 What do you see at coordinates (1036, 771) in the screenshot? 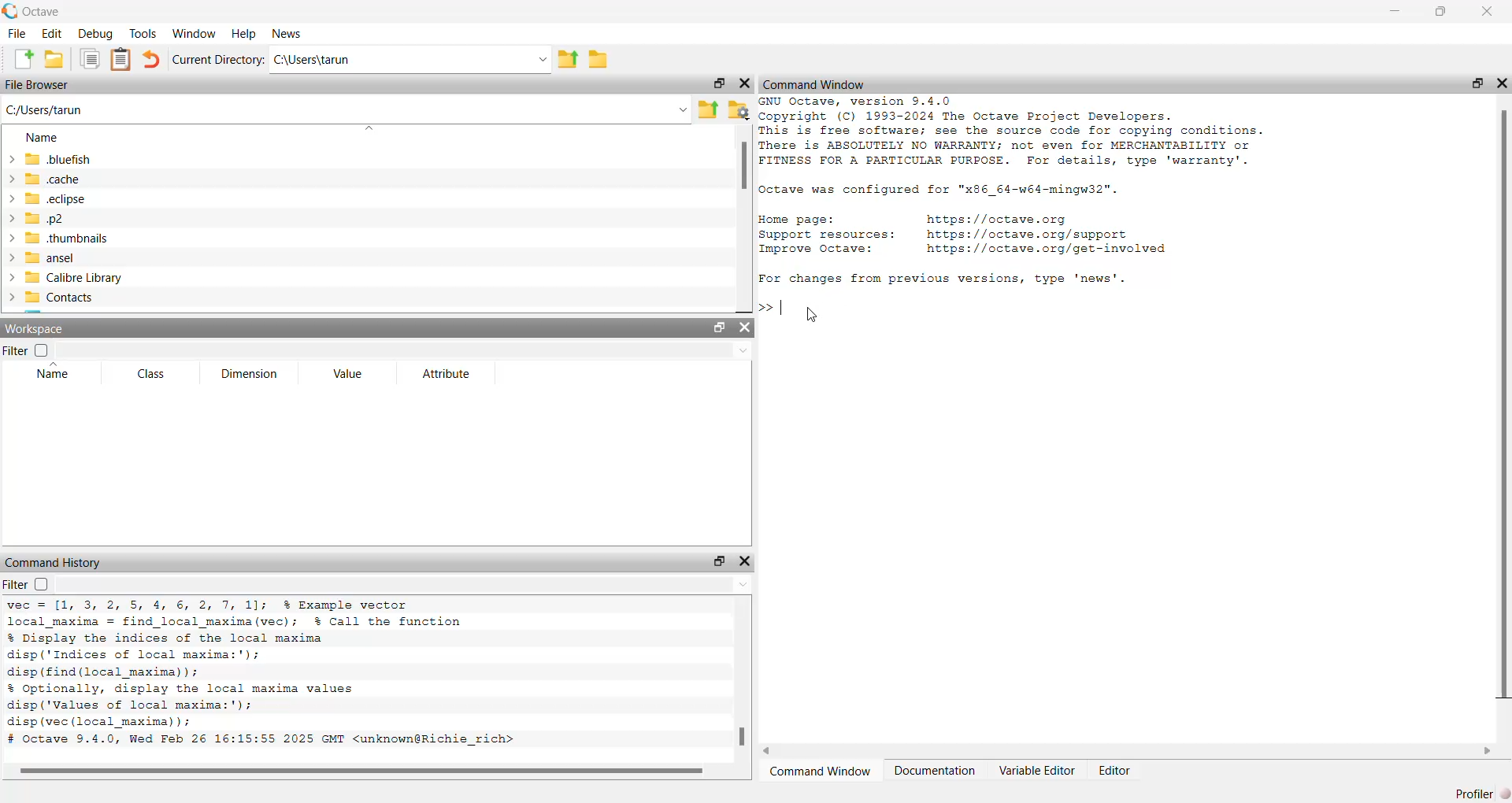
I see `Variable Editor` at bounding box center [1036, 771].